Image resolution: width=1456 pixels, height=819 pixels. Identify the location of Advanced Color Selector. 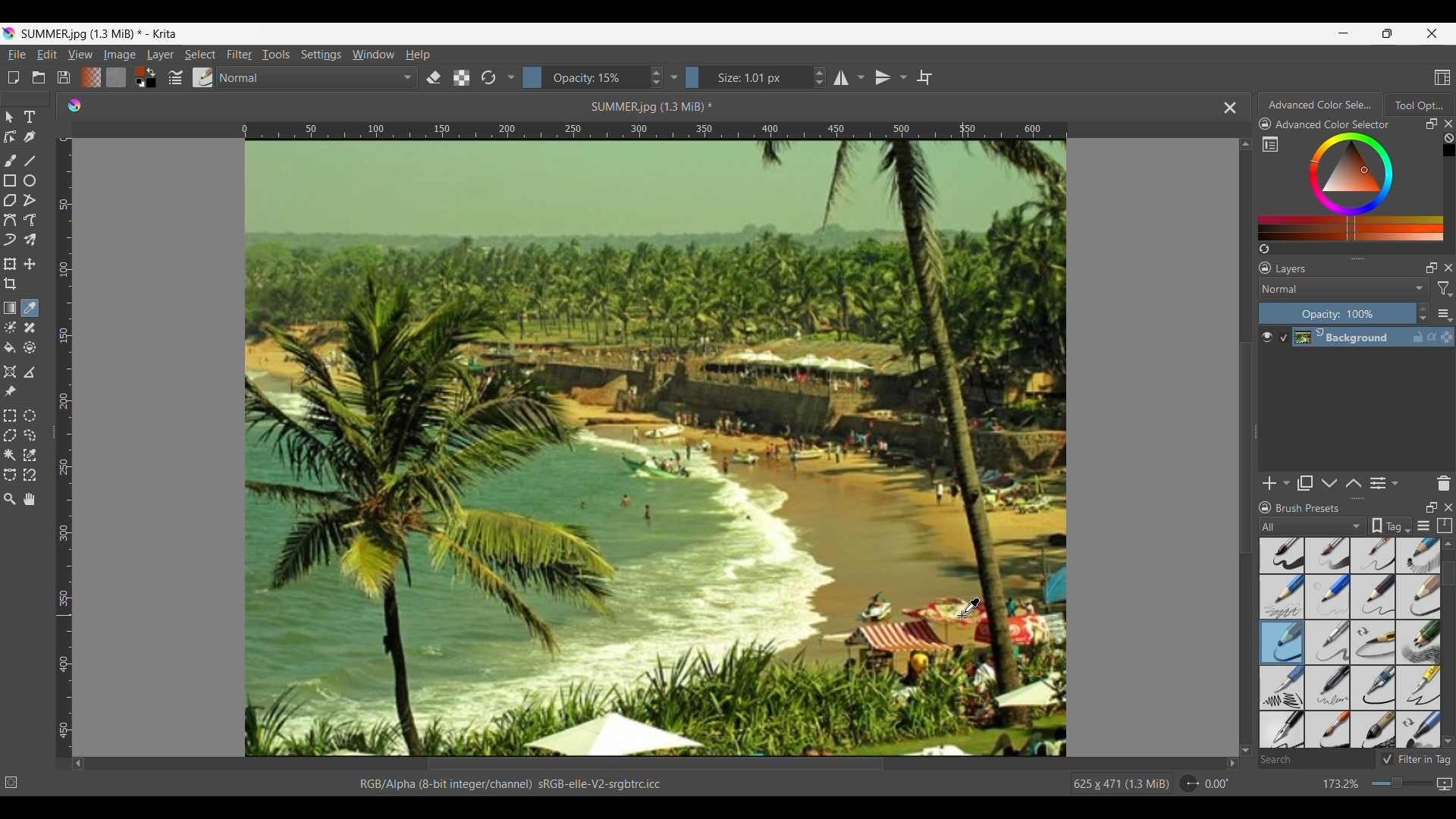
(1333, 124).